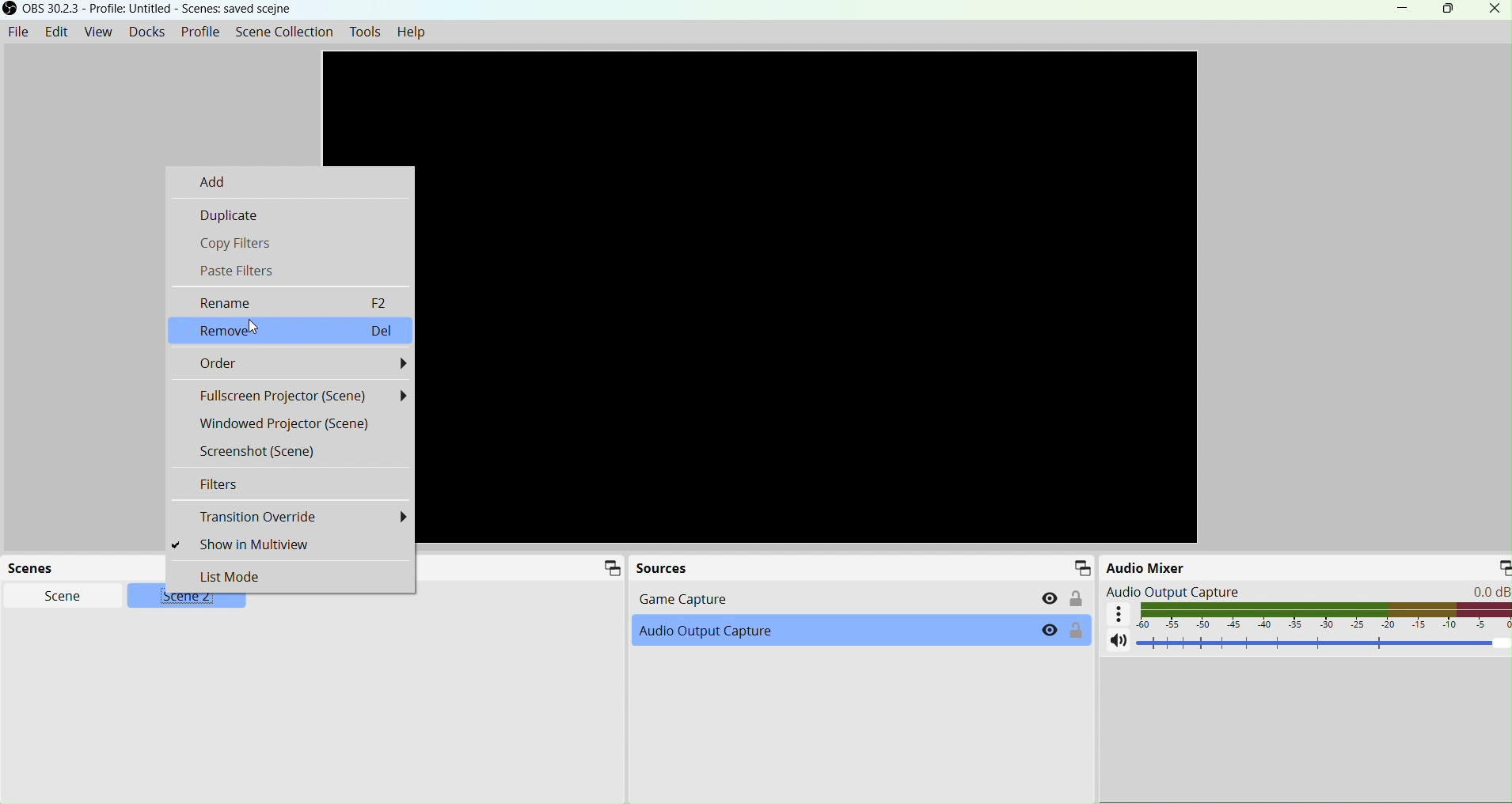 This screenshot has height=804, width=1512. What do you see at coordinates (1197, 570) in the screenshot?
I see `Audio Mixer ` at bounding box center [1197, 570].